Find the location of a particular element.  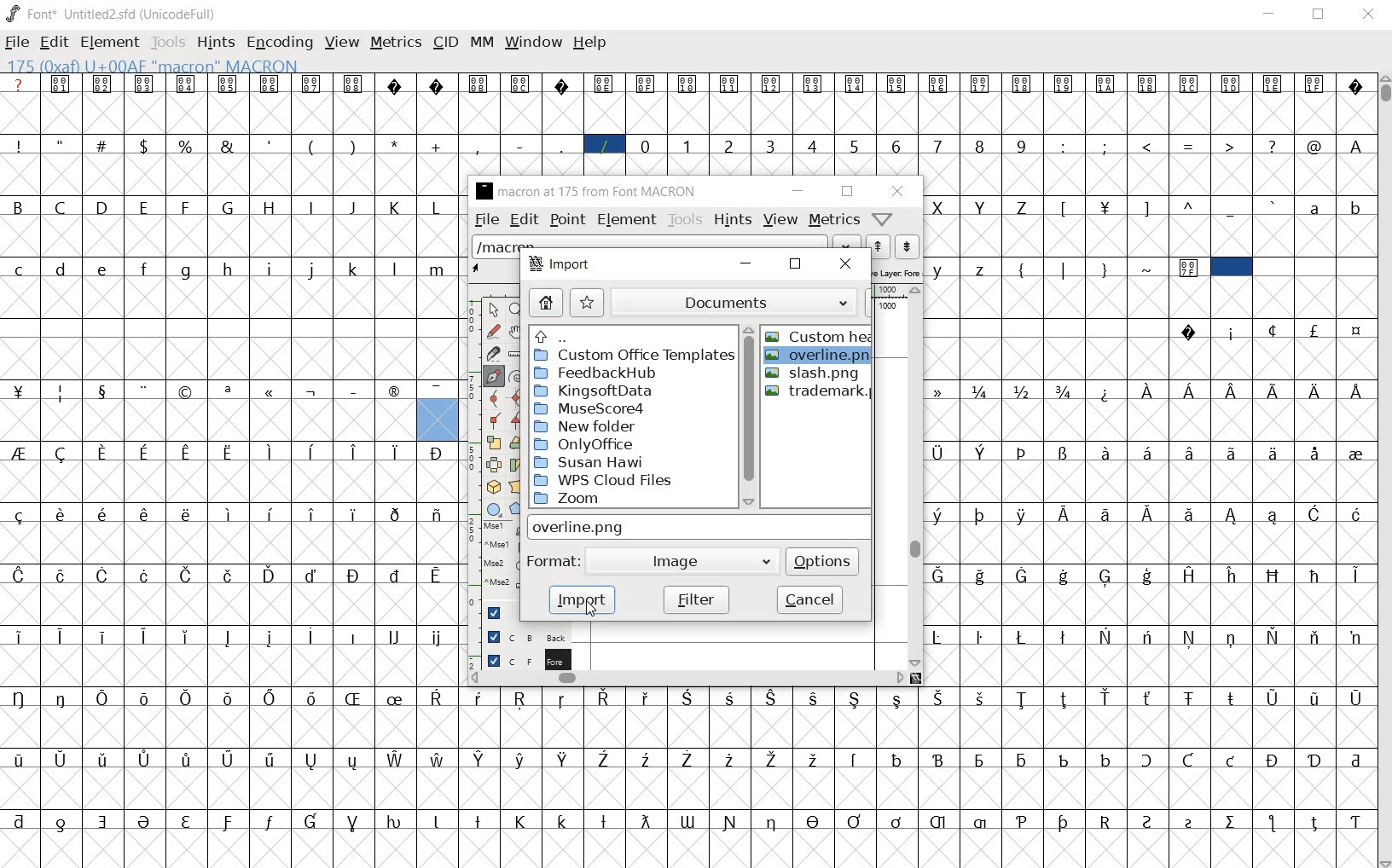

empty cells is located at coordinates (1315, 267).